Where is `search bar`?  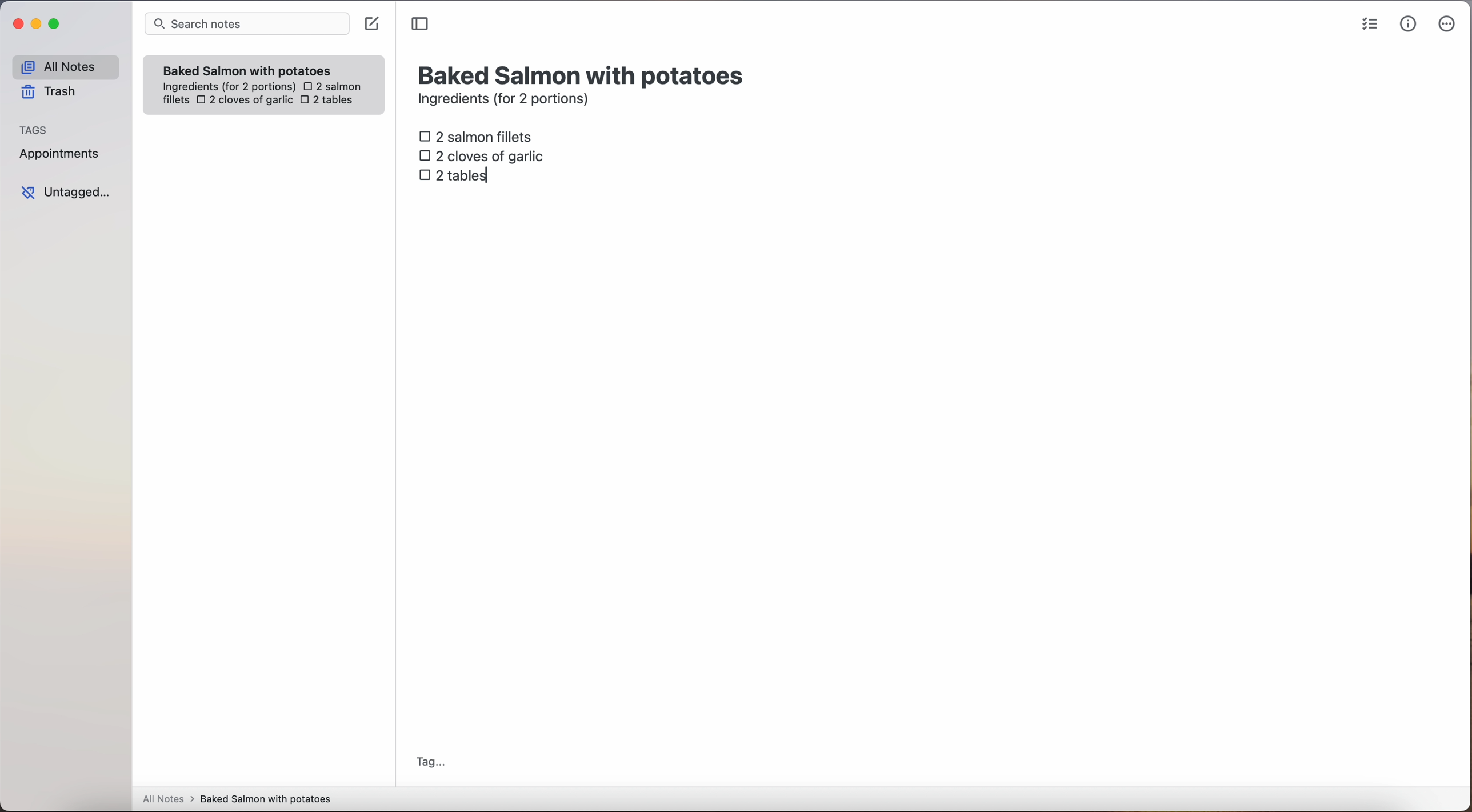 search bar is located at coordinates (246, 25).